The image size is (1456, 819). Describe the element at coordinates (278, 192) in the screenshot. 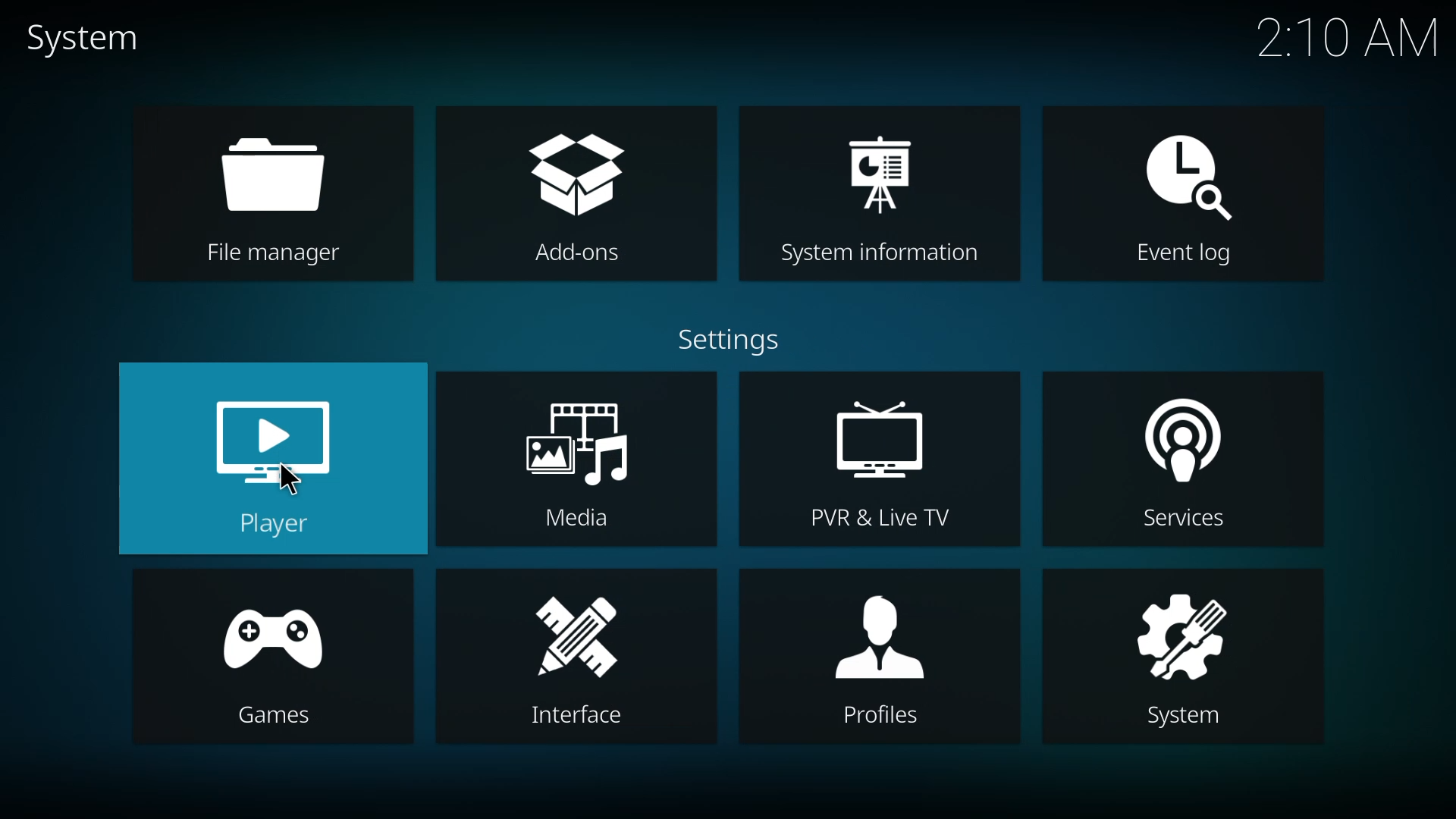

I see `file manager` at that location.